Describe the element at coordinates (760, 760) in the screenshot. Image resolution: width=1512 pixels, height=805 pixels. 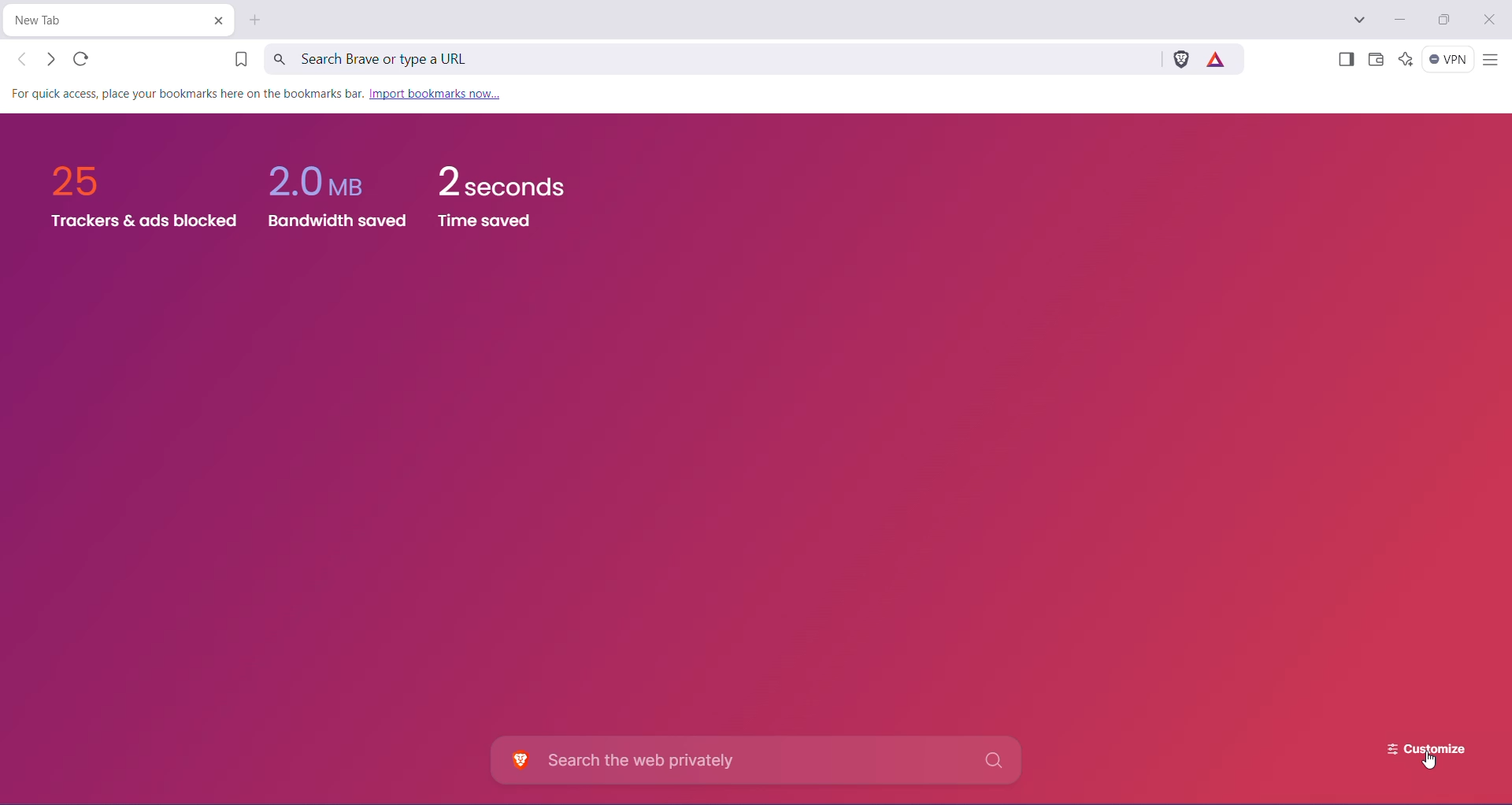
I see `Search the Web privately` at that location.